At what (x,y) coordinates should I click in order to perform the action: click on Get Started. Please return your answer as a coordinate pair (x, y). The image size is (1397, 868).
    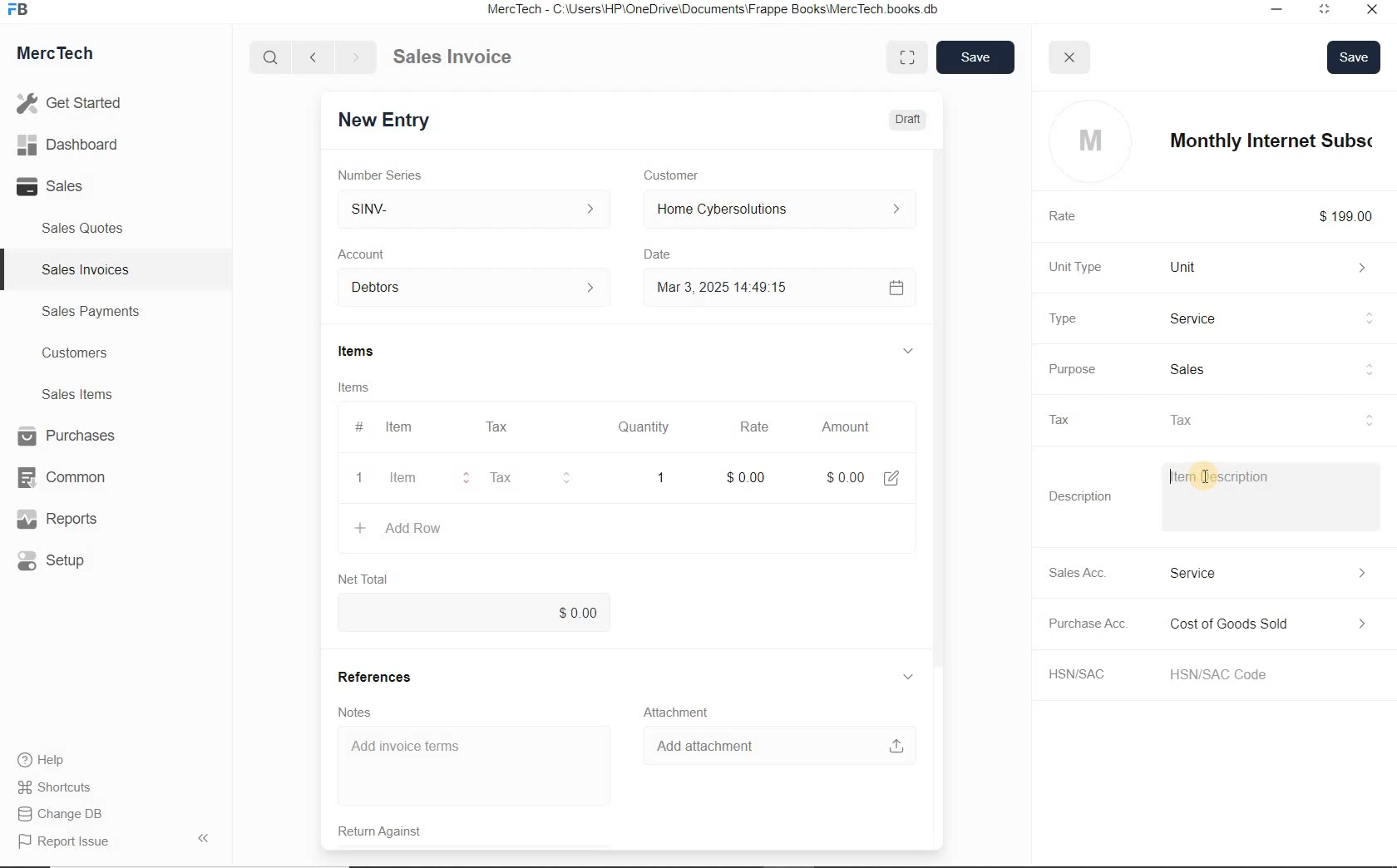
    Looking at the image, I should click on (75, 103).